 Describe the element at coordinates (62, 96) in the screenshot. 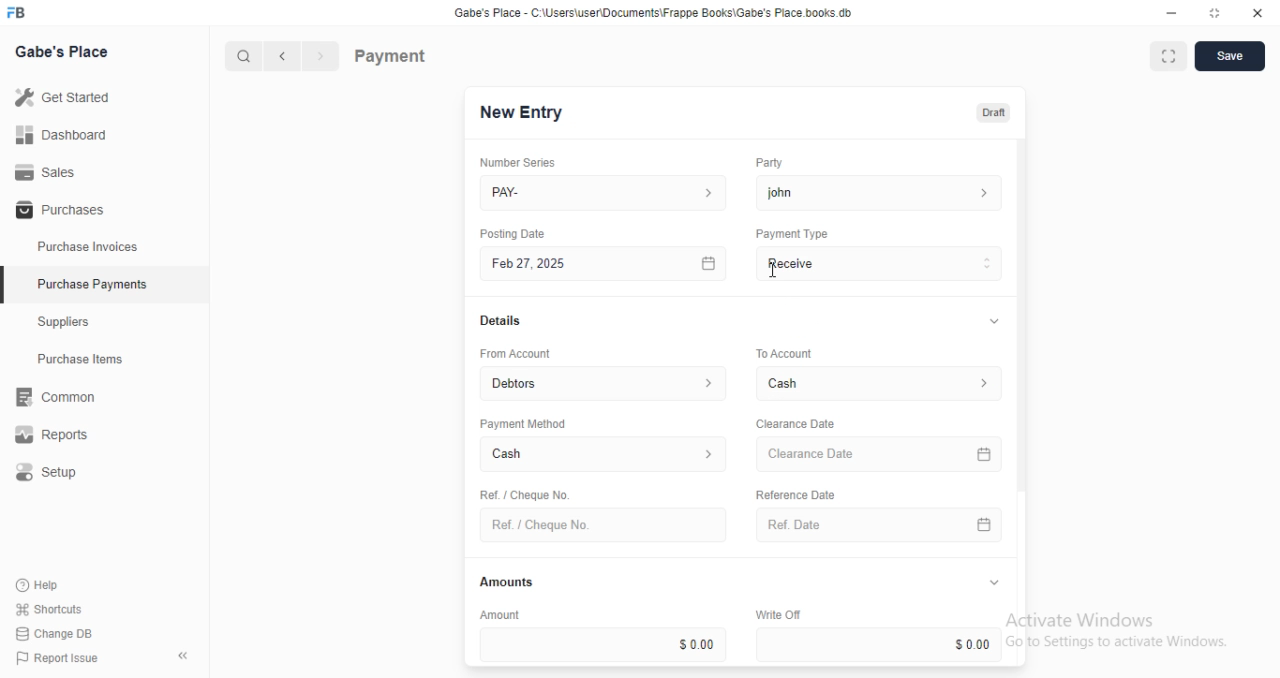

I see `Get Started` at that location.